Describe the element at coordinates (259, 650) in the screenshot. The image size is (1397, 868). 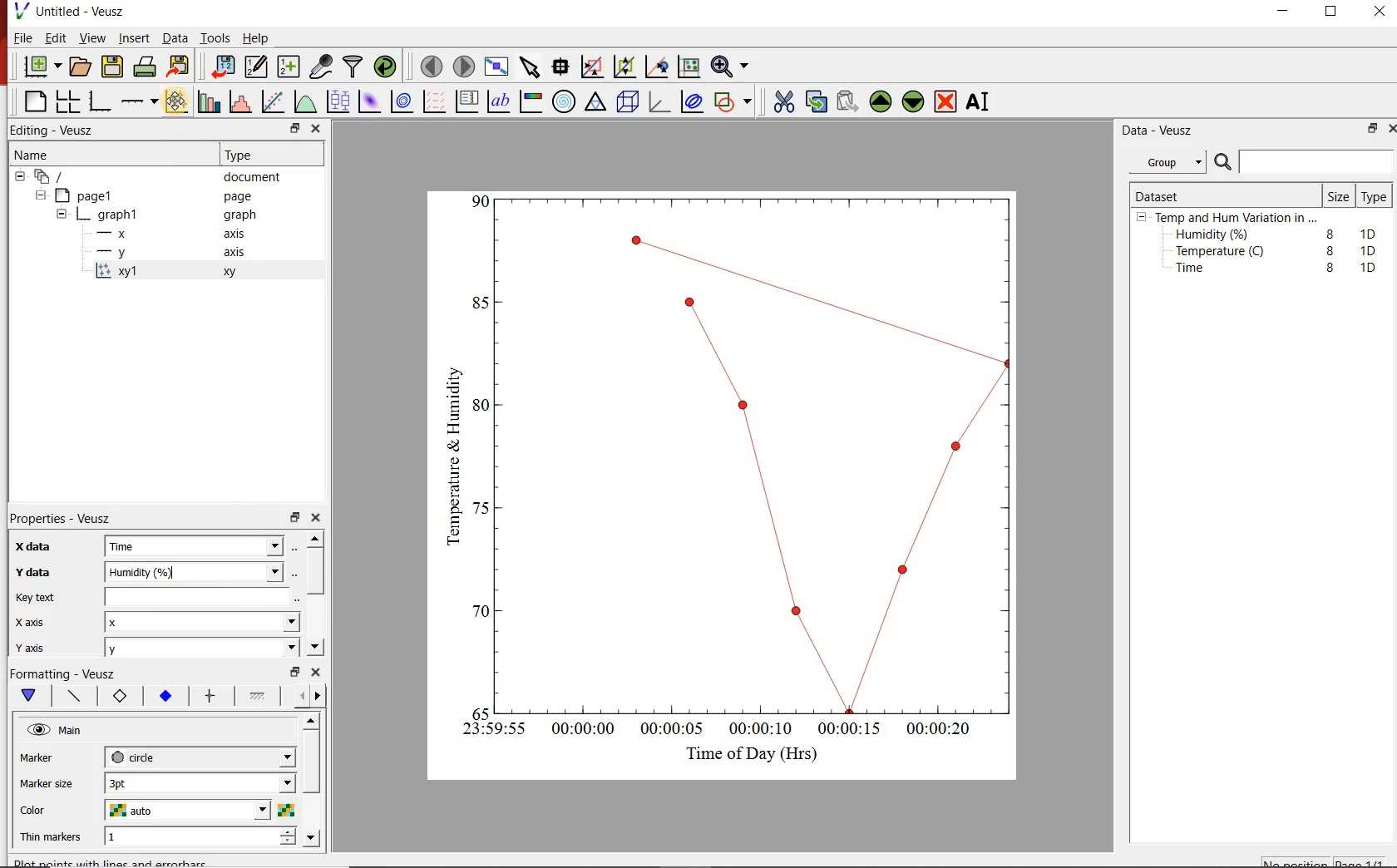
I see `y axis dropdown` at that location.